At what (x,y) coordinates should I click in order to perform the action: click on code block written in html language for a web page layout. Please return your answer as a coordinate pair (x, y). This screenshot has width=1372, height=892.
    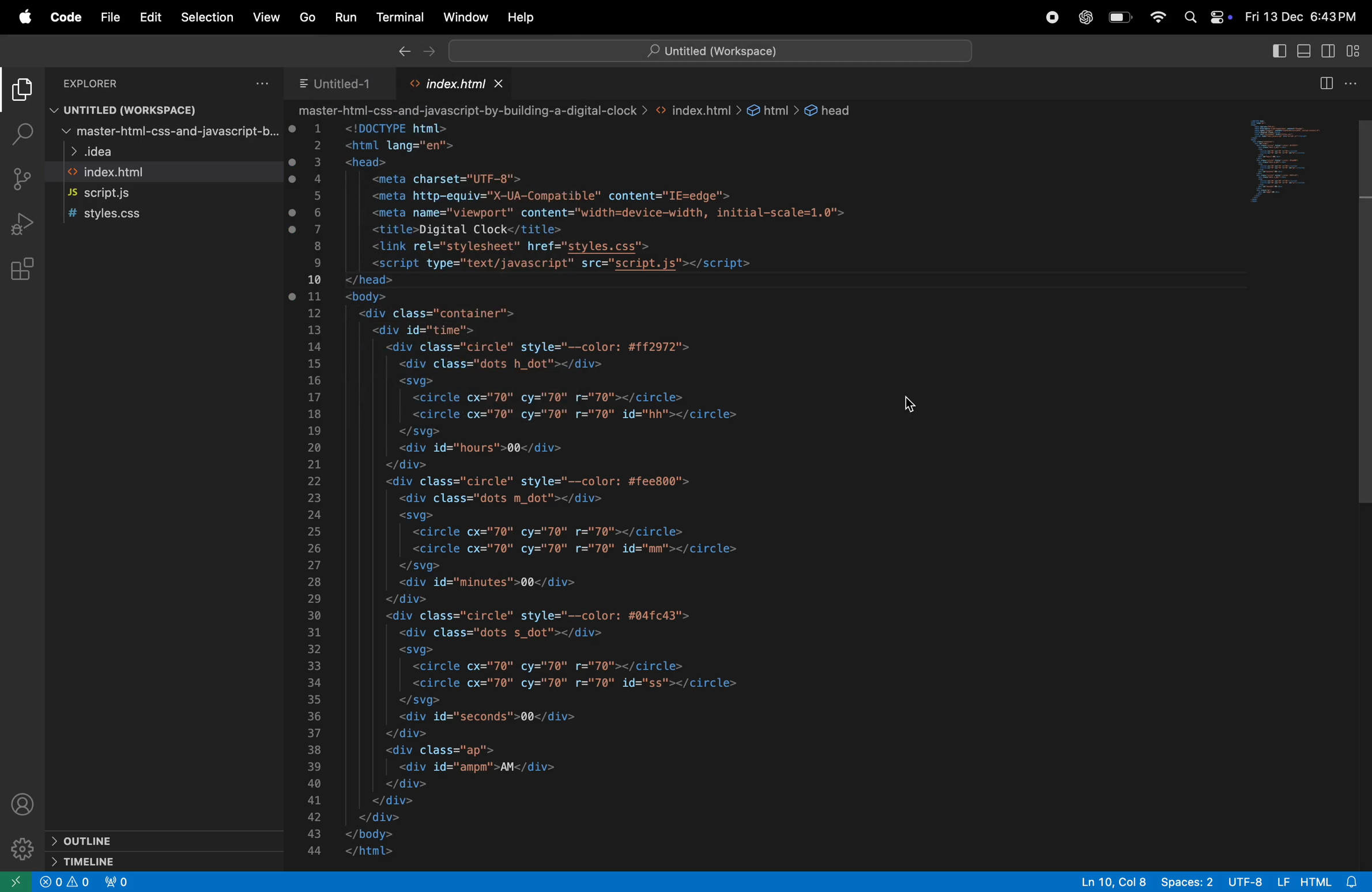
    Looking at the image, I should click on (576, 486).